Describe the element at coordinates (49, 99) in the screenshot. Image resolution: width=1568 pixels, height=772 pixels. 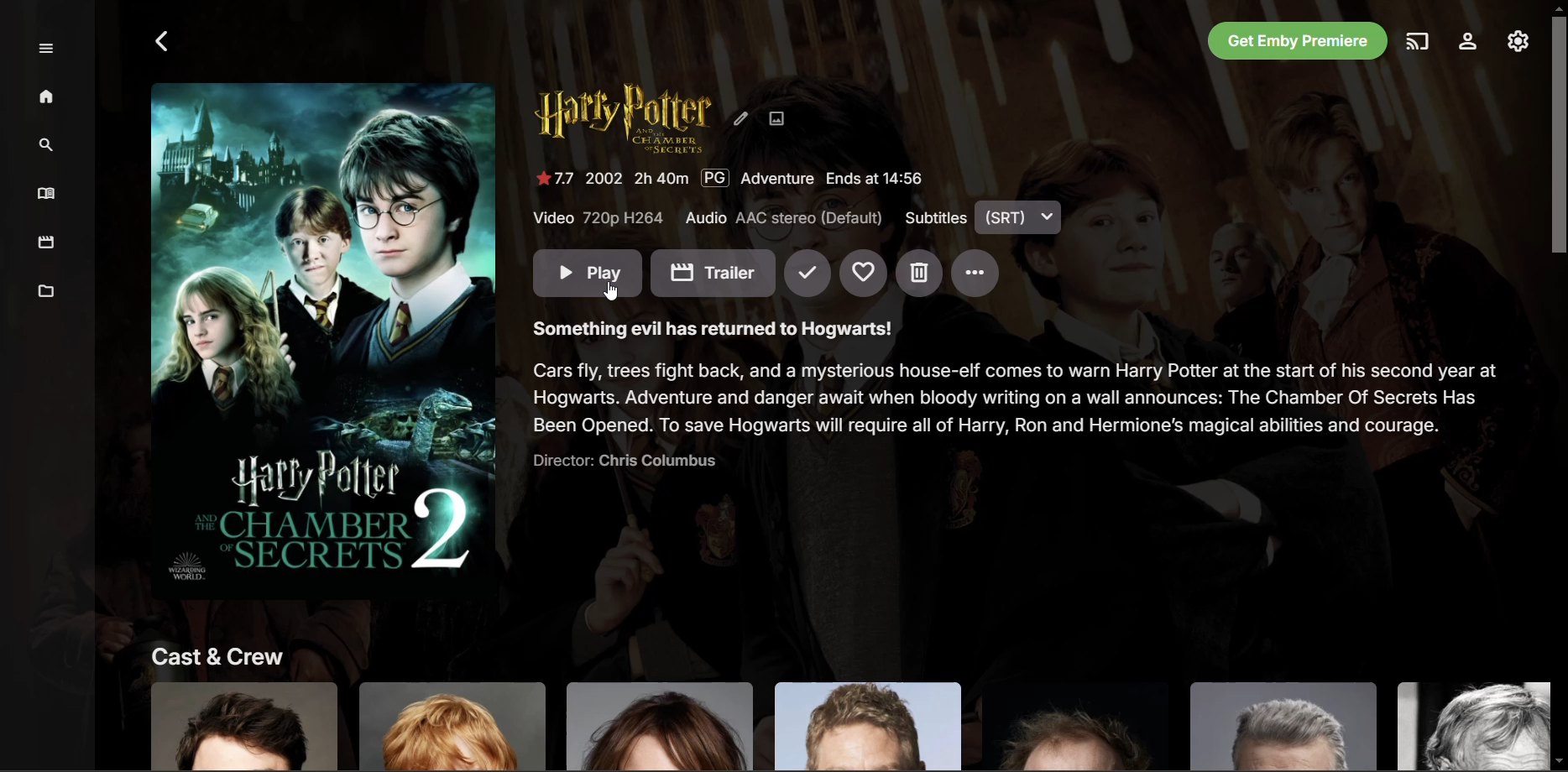
I see `Home` at that location.